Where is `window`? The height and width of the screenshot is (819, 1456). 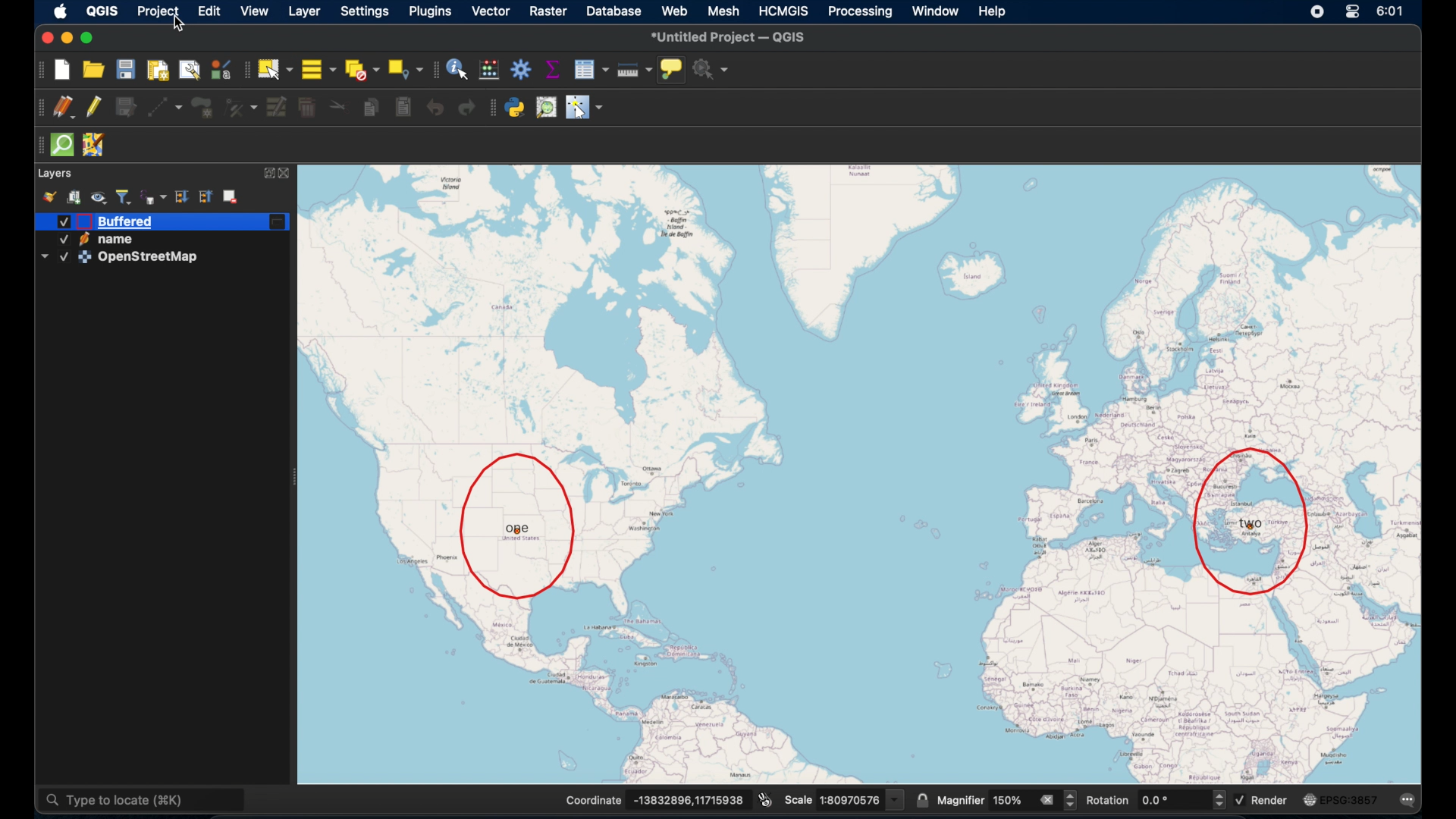
window is located at coordinates (937, 12).